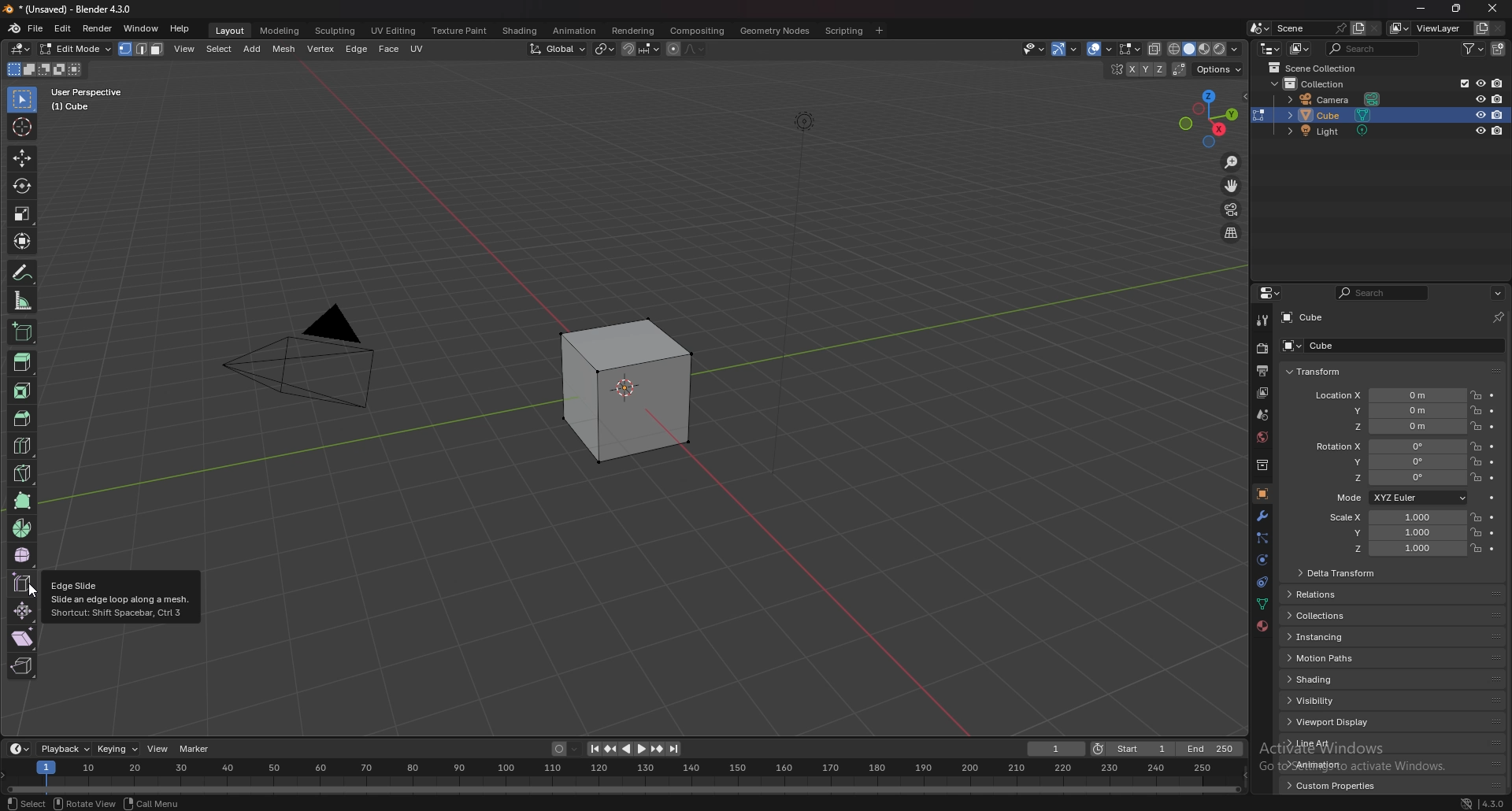  Describe the element at coordinates (1477, 548) in the screenshot. I see `lock` at that location.